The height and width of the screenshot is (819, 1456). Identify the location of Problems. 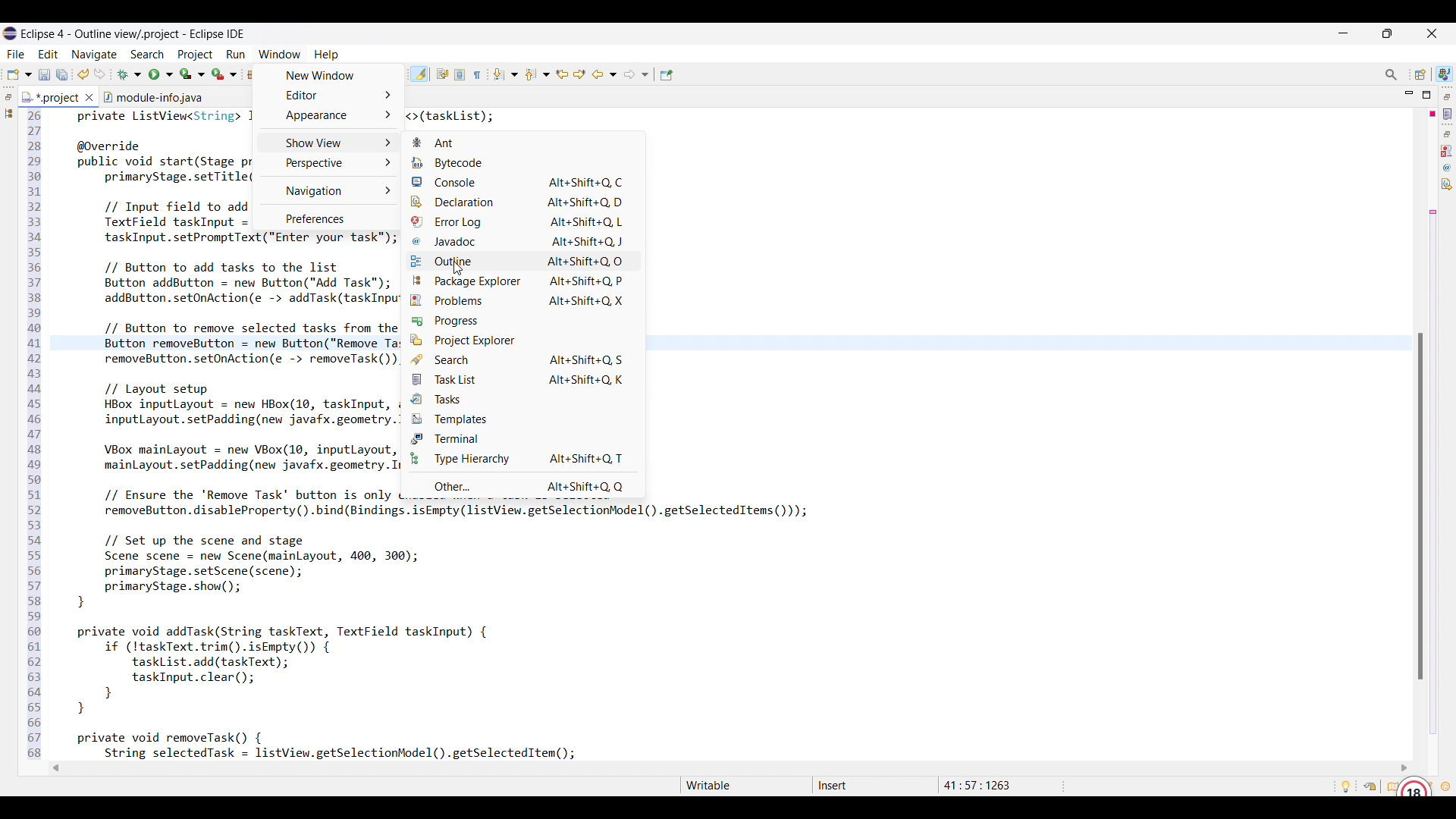
(1447, 151).